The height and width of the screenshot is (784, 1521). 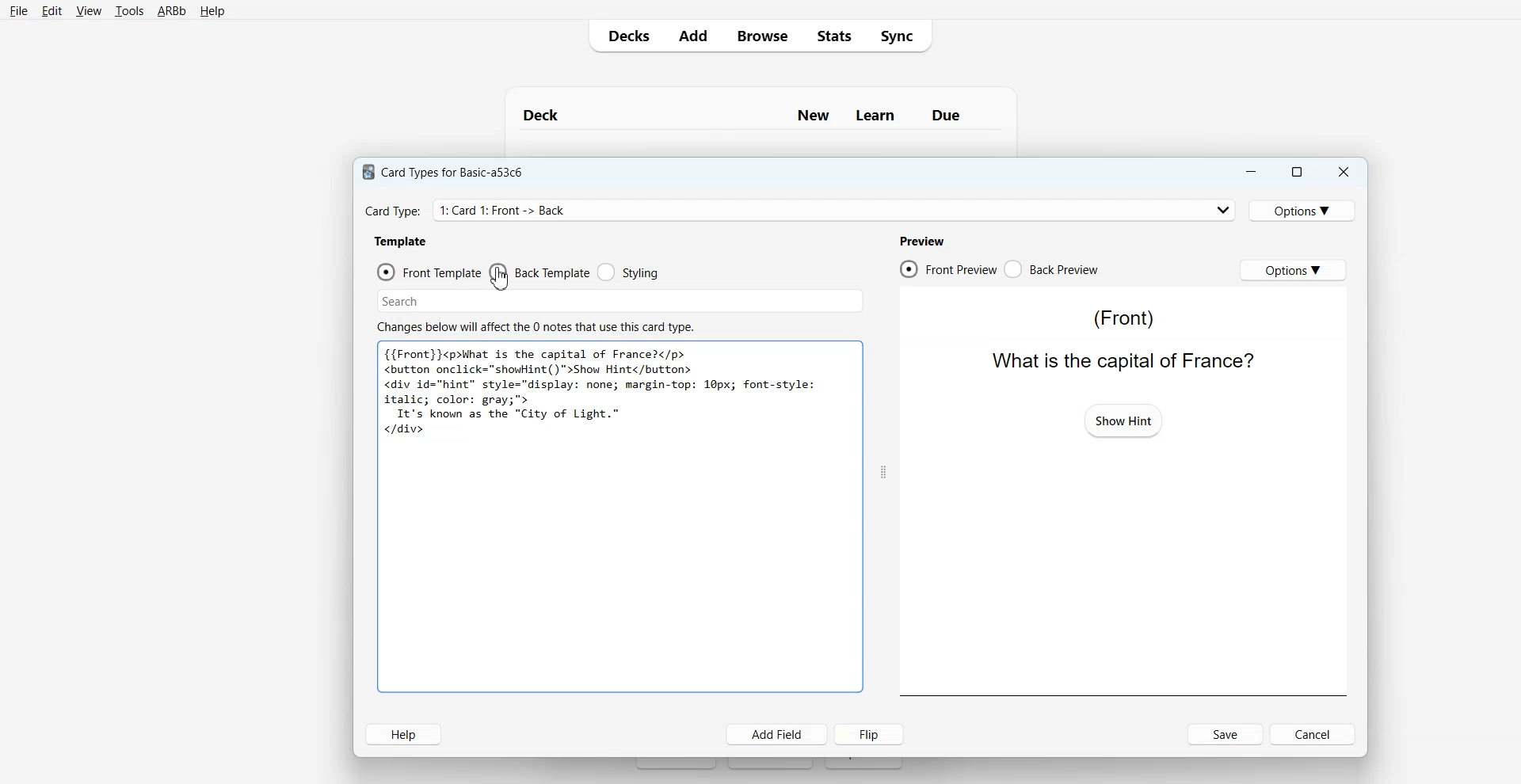 What do you see at coordinates (801, 210) in the screenshot?
I see `Card Type` at bounding box center [801, 210].